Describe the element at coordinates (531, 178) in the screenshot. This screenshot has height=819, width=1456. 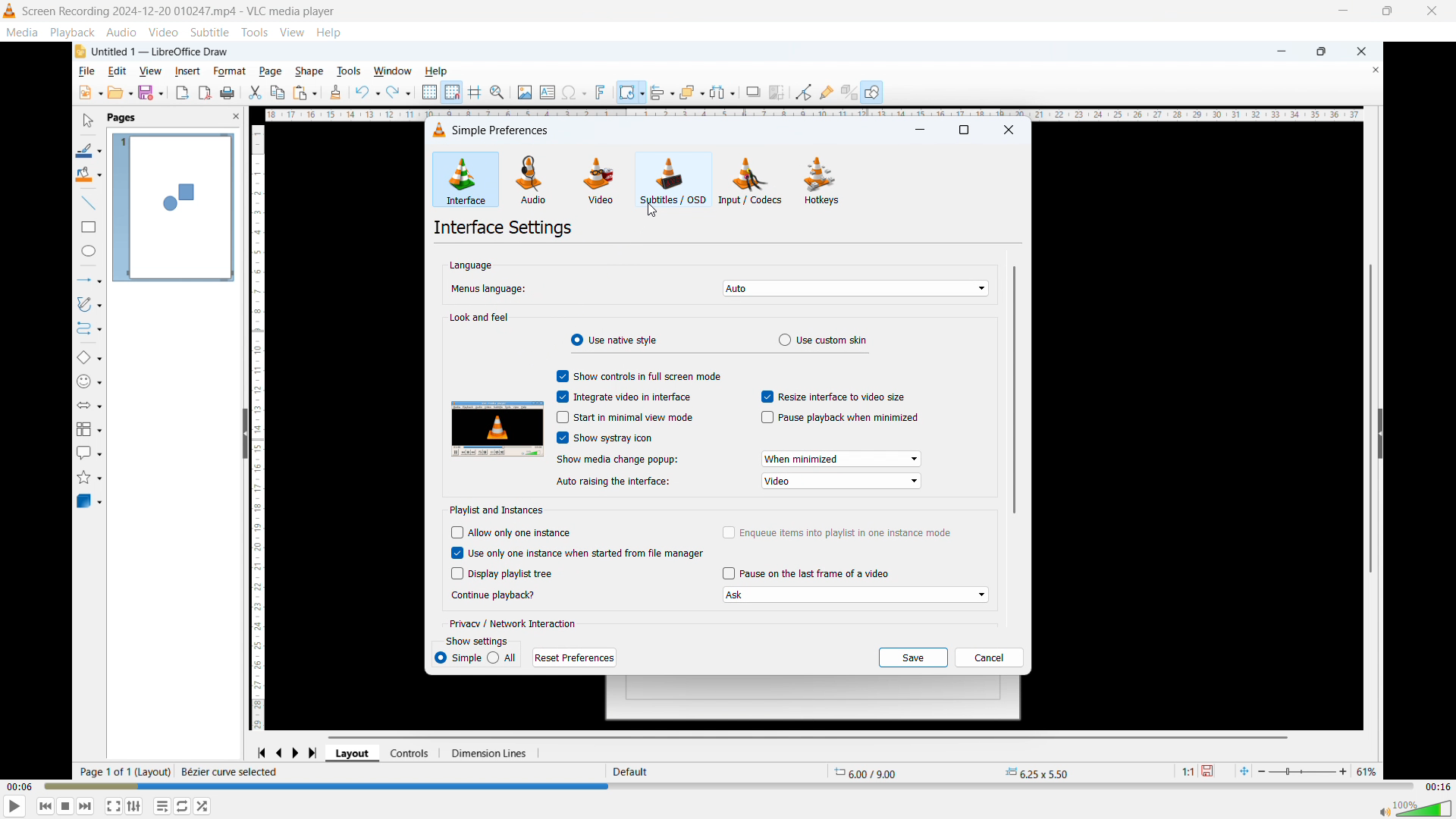
I see `Audio ` at that location.